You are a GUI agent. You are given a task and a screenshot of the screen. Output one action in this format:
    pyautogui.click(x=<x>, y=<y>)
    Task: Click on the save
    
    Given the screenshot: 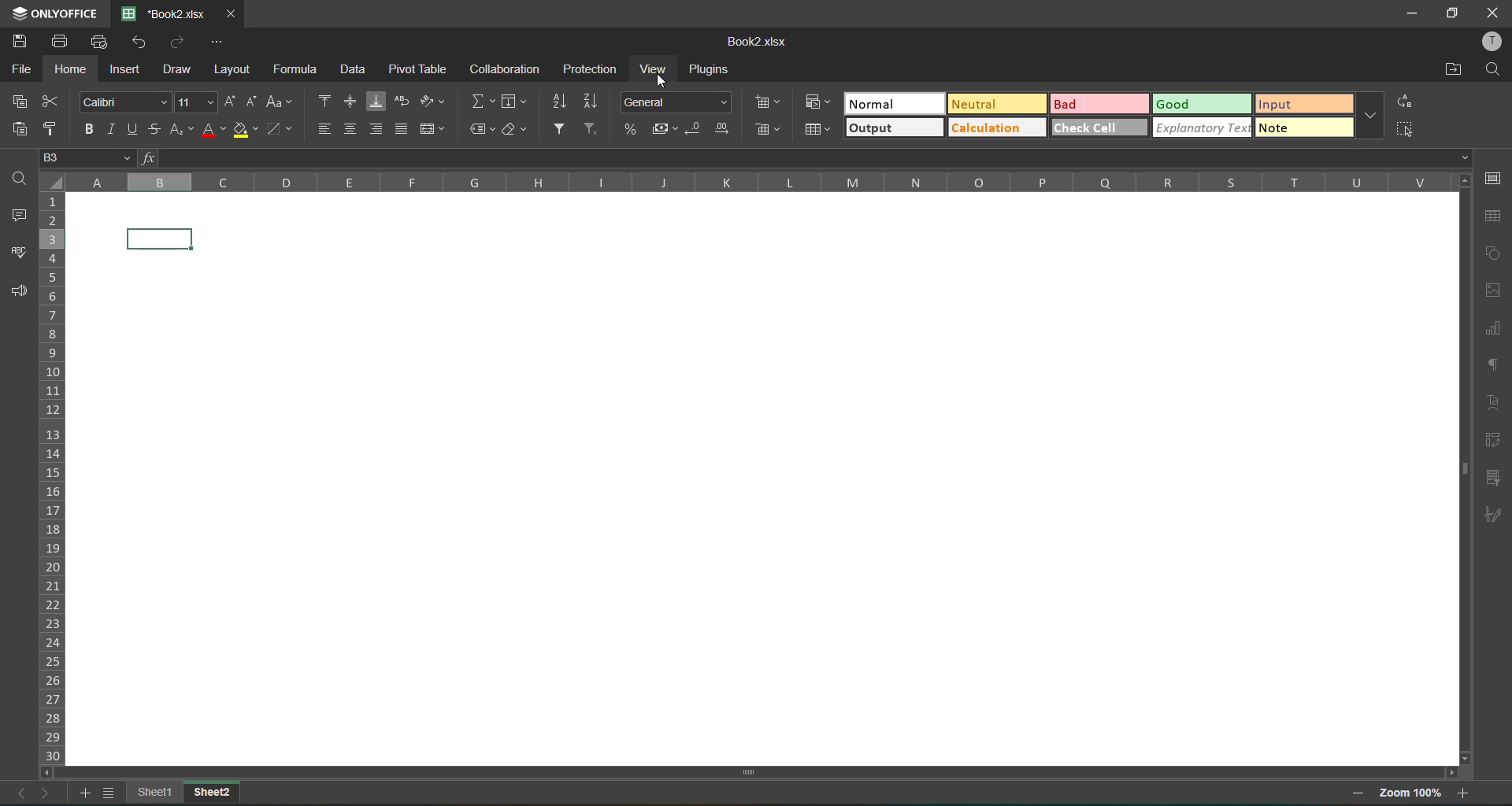 What is the action you would take?
    pyautogui.click(x=19, y=39)
    